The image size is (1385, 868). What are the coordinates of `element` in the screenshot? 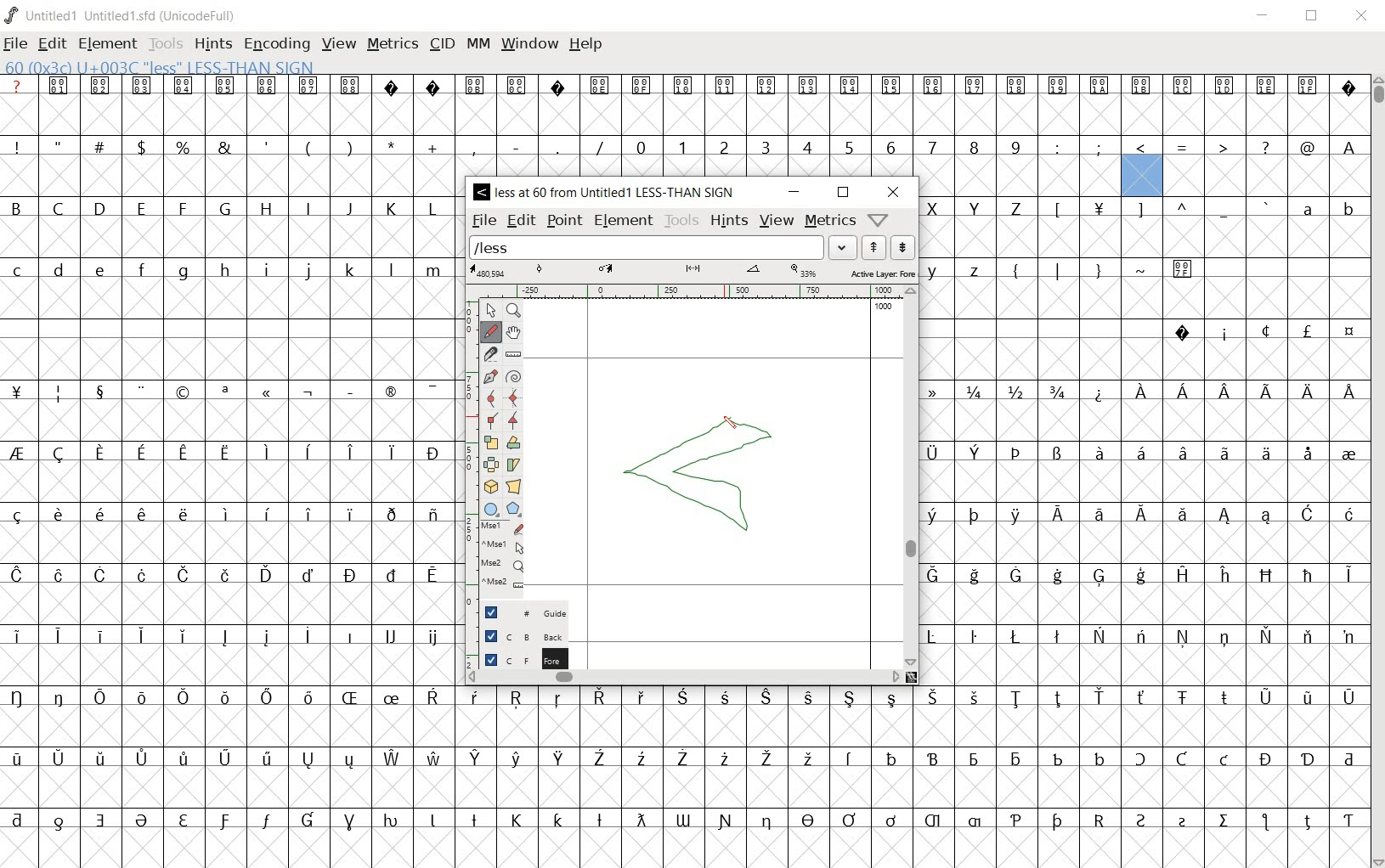 It's located at (625, 222).